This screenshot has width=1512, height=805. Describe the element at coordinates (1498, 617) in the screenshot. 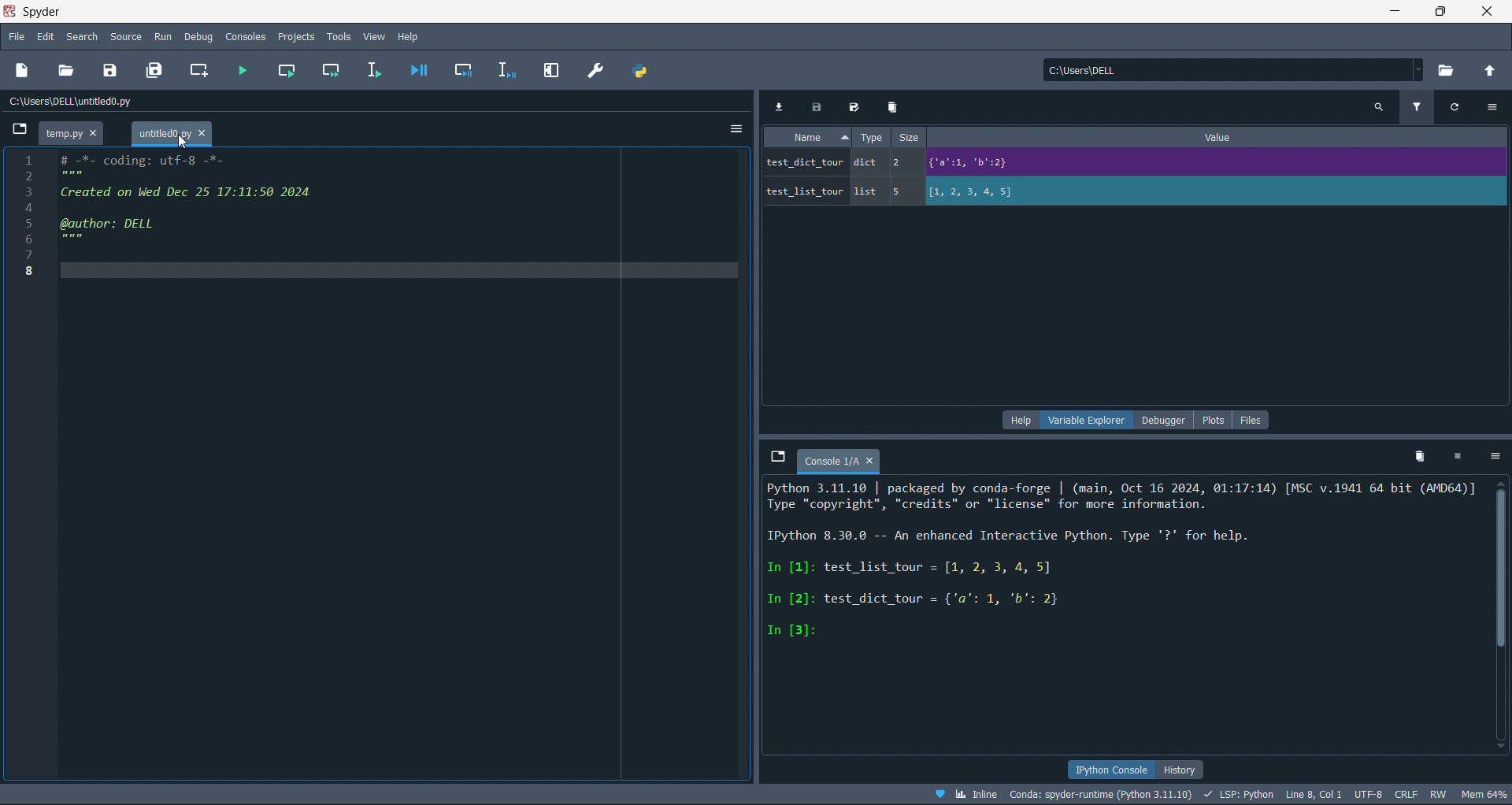

I see `Scroll bar` at that location.